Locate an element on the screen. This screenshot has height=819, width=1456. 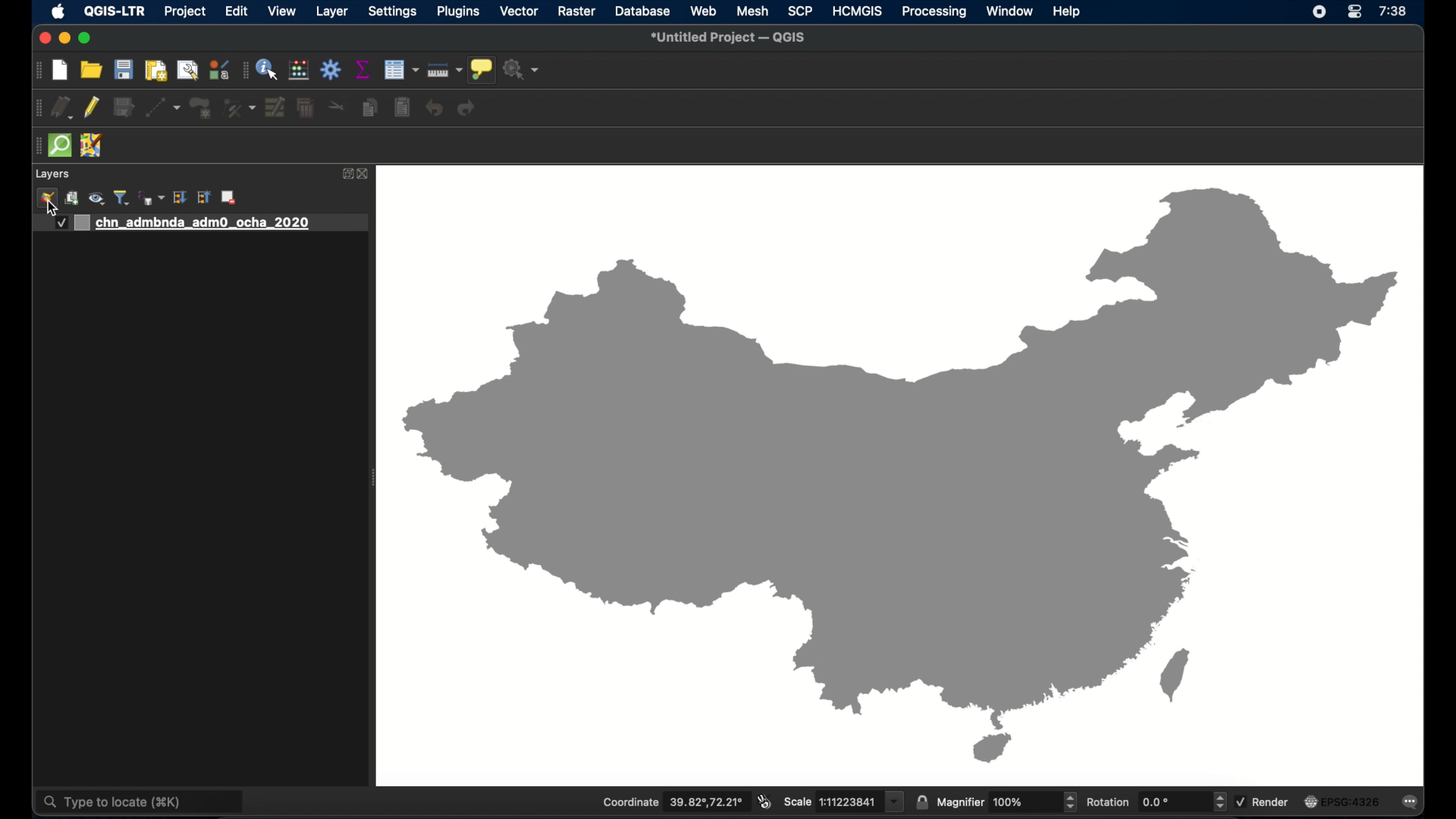
digitize with segment is located at coordinates (162, 108).